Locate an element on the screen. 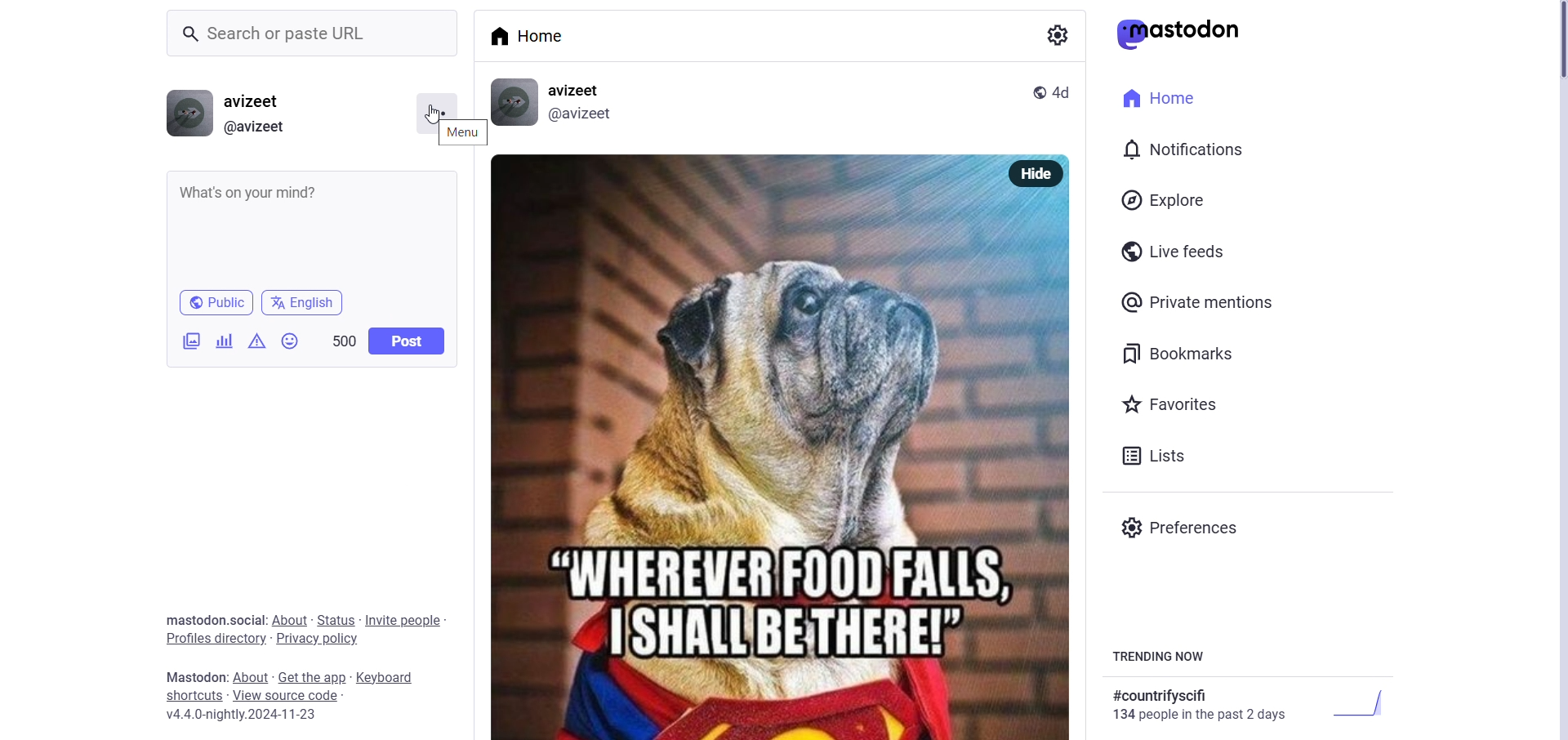 The height and width of the screenshot is (740, 1568). live feed is located at coordinates (1178, 251).